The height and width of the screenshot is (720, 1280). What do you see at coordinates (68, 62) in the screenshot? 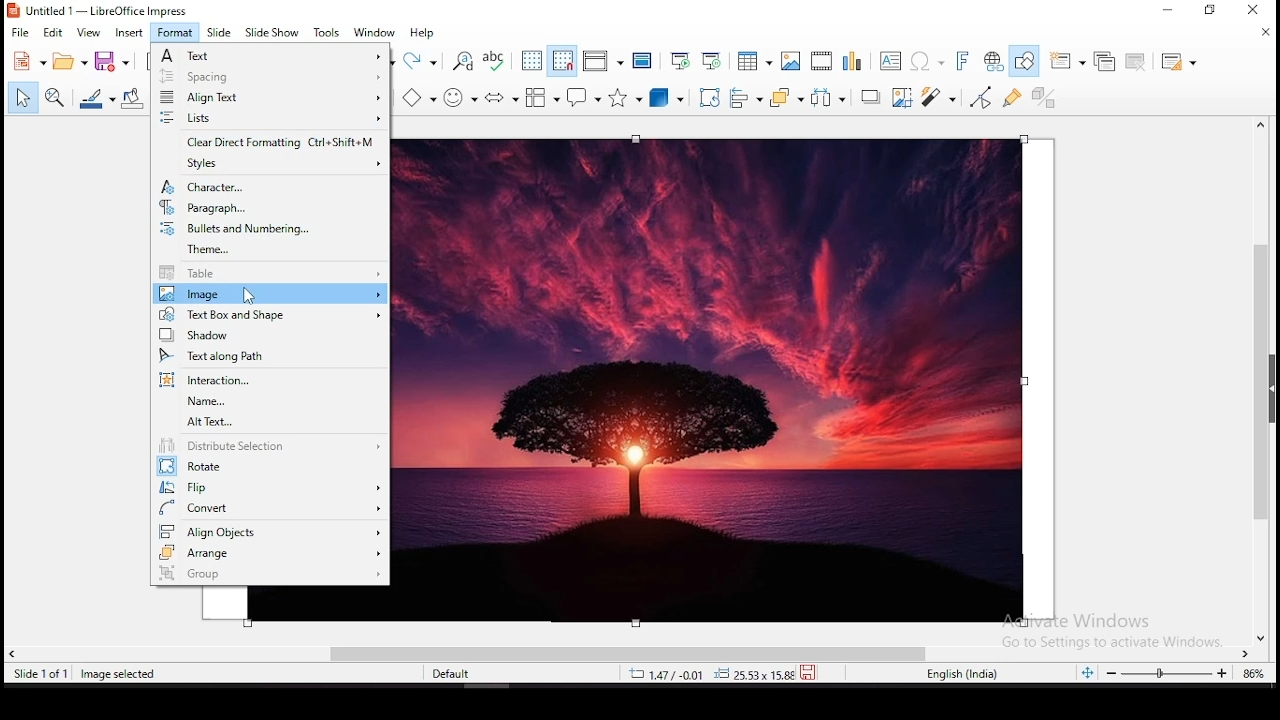
I see `open` at bounding box center [68, 62].